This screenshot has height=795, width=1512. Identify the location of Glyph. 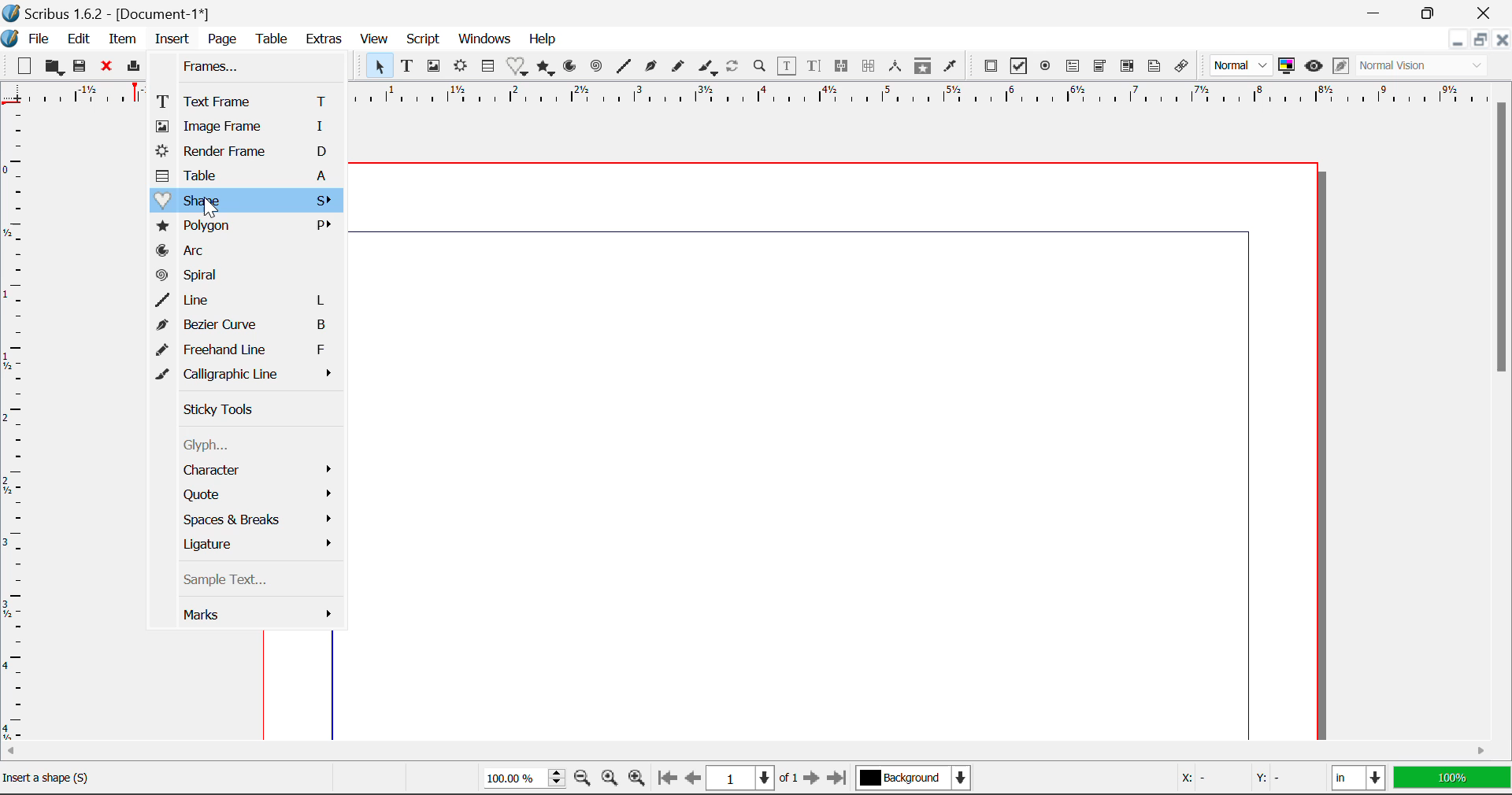
(243, 447).